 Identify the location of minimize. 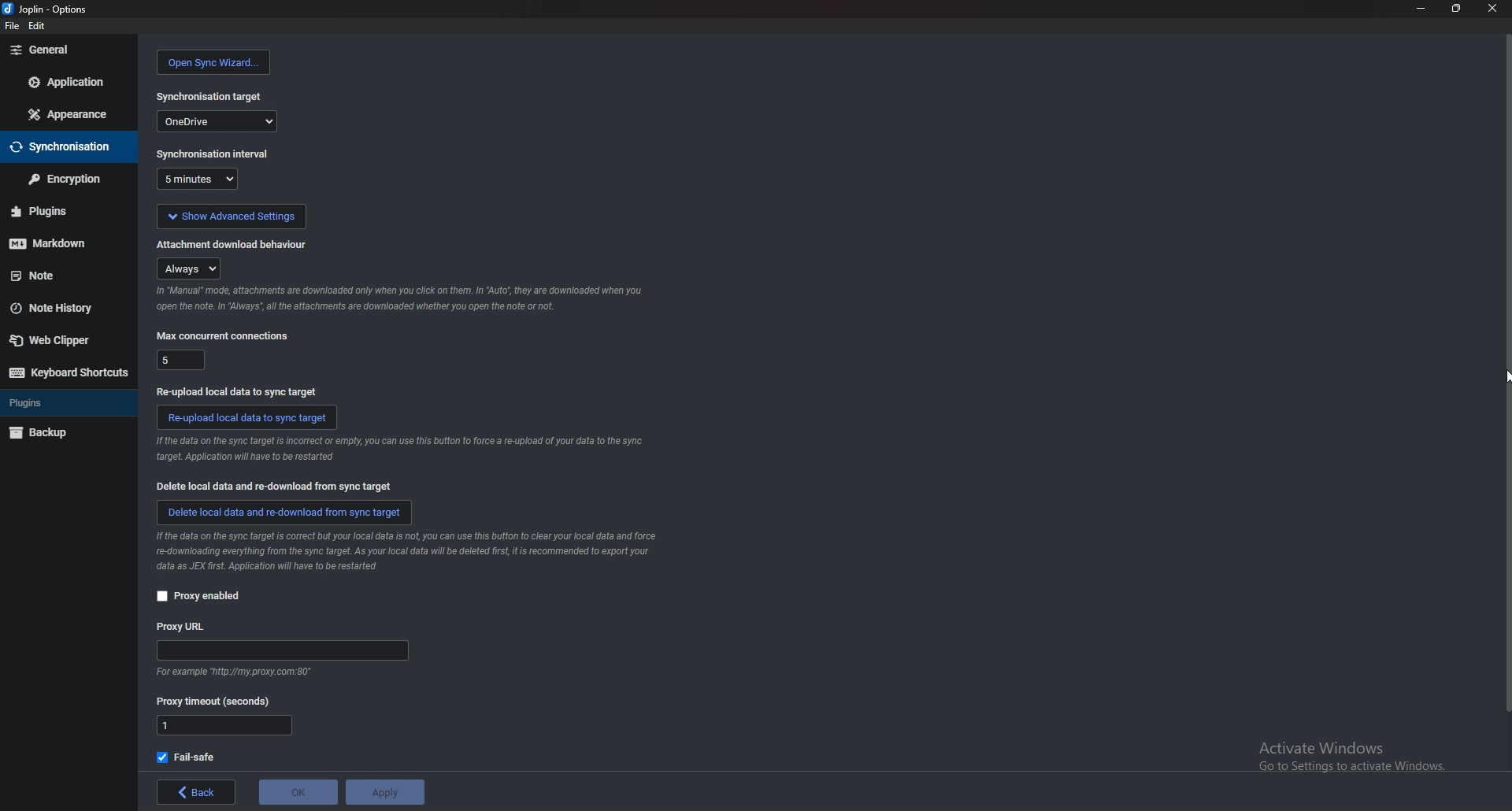
(1420, 9).